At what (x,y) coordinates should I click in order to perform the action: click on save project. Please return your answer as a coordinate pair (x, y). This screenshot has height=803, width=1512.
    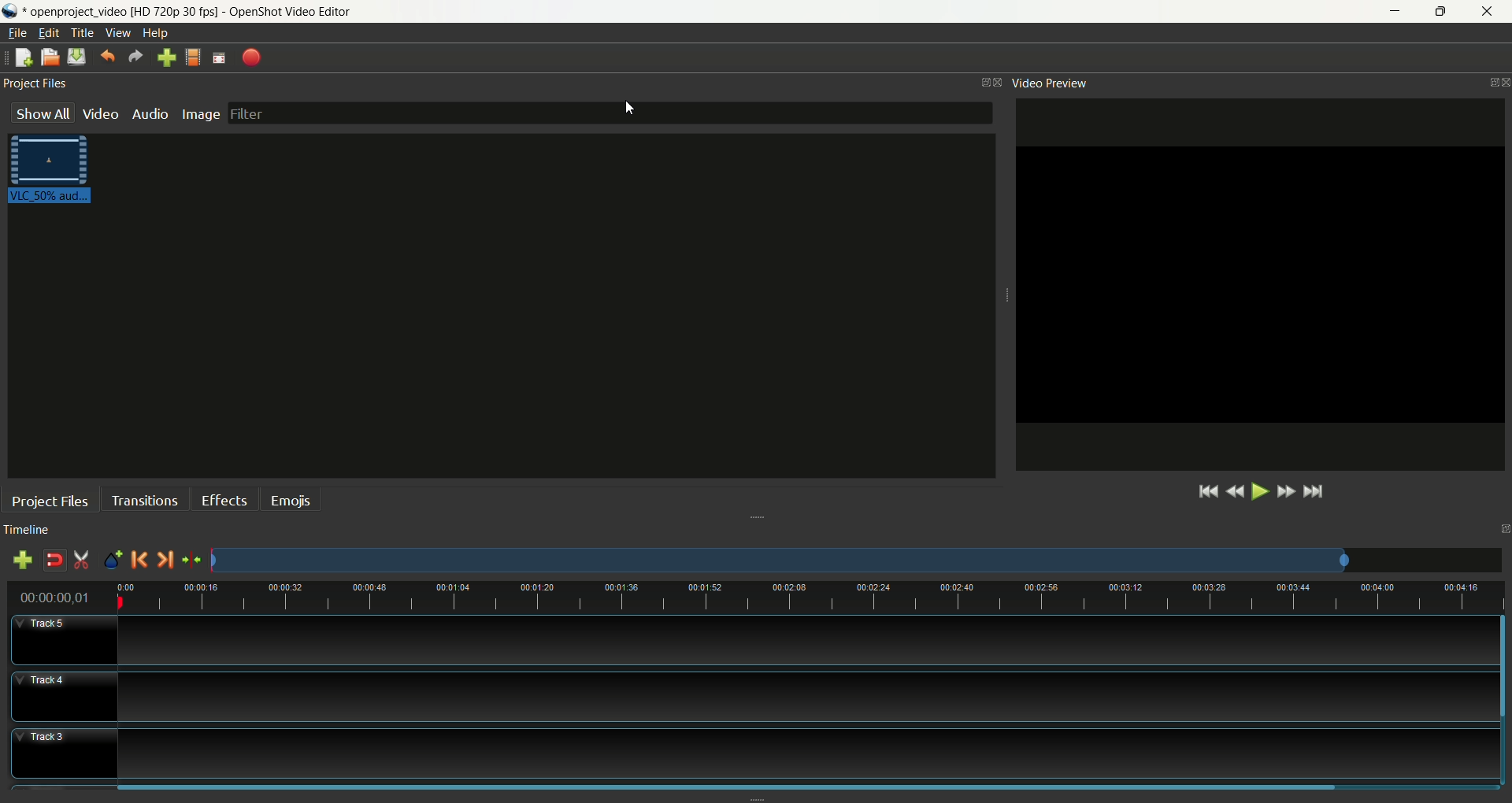
    Looking at the image, I should click on (74, 57).